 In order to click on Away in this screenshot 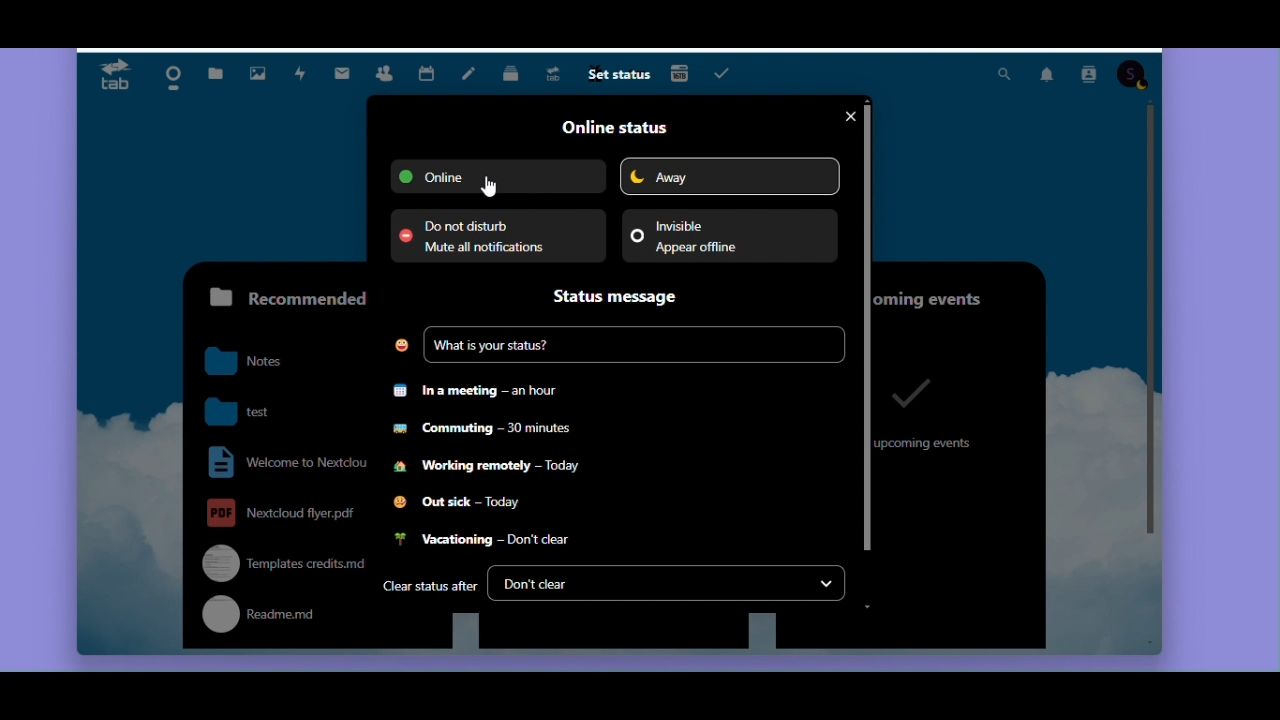, I will do `click(729, 176)`.